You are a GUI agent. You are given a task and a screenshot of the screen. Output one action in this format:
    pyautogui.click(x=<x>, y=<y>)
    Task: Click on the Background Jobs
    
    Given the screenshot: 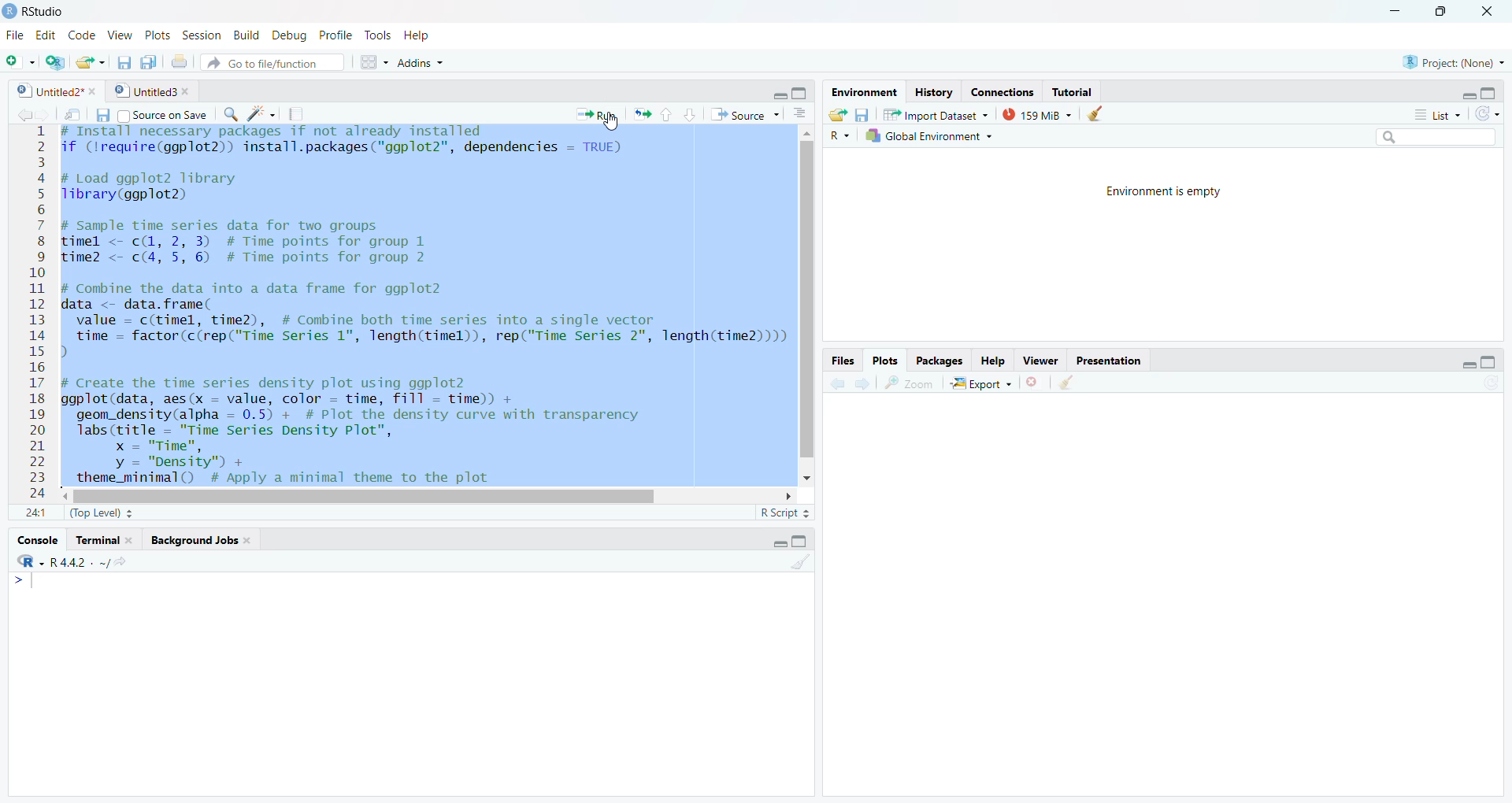 What is the action you would take?
    pyautogui.click(x=200, y=539)
    